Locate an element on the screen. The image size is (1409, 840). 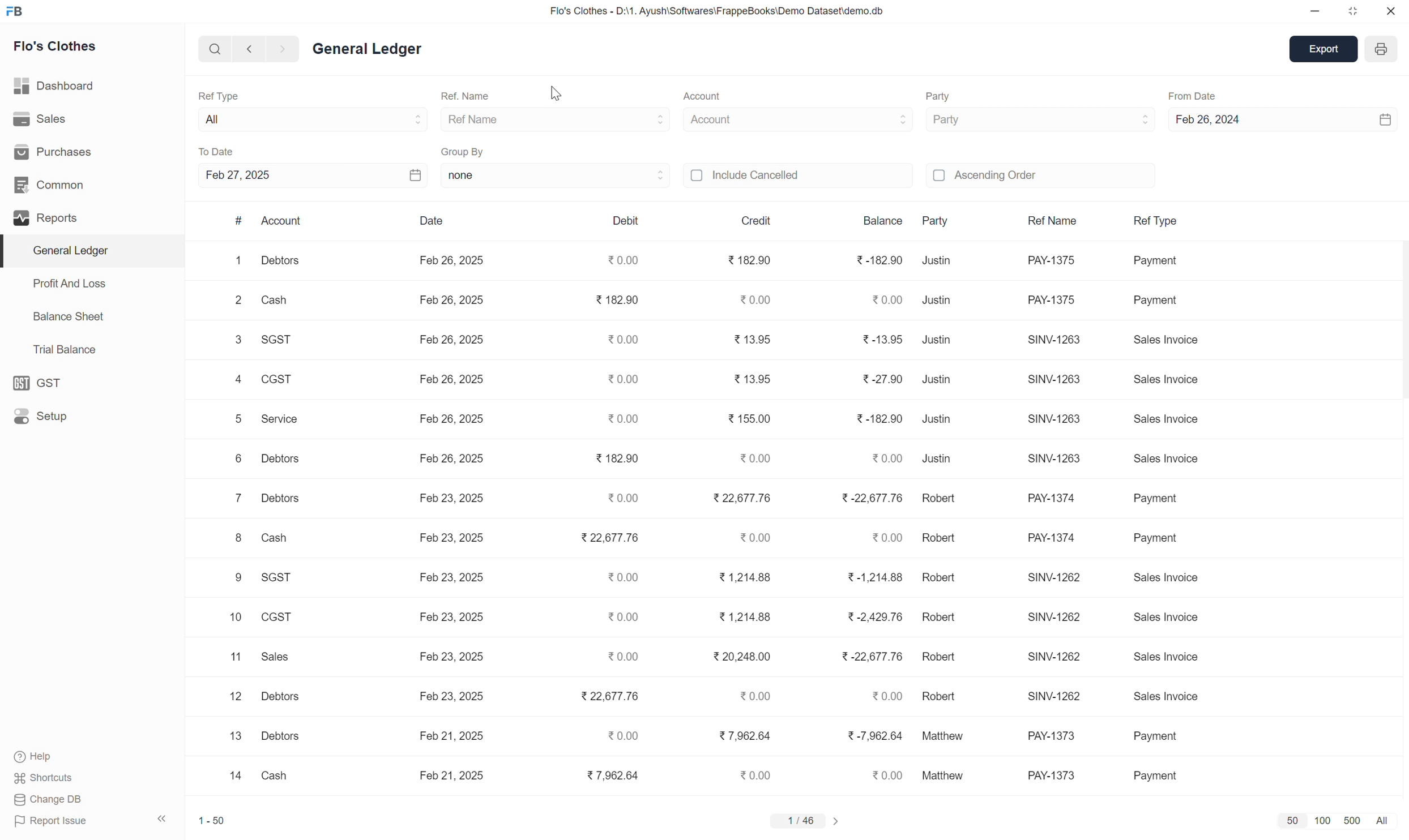
close panel is located at coordinates (165, 817).